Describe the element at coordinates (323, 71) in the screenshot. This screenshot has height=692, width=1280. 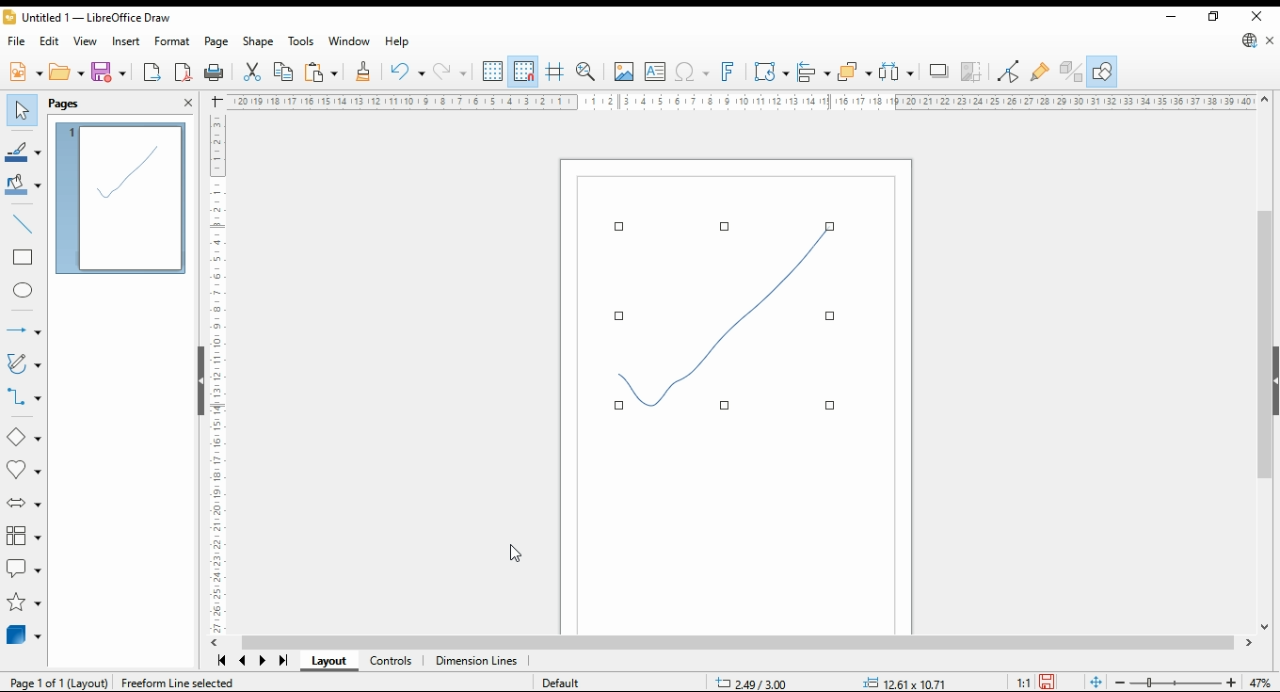
I see `paste` at that location.